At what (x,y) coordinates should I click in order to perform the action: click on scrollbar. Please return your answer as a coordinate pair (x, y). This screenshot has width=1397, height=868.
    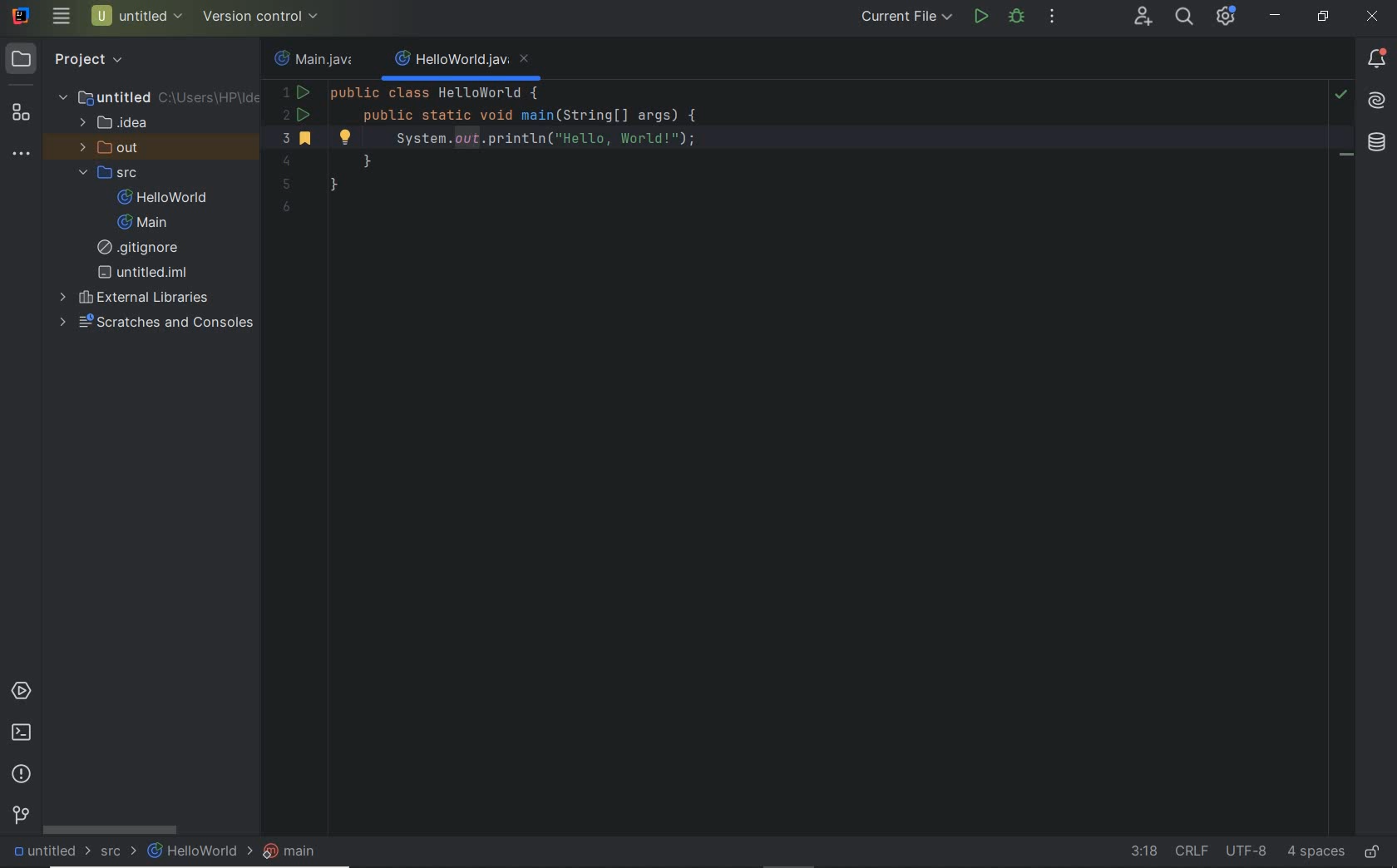
    Looking at the image, I should click on (110, 827).